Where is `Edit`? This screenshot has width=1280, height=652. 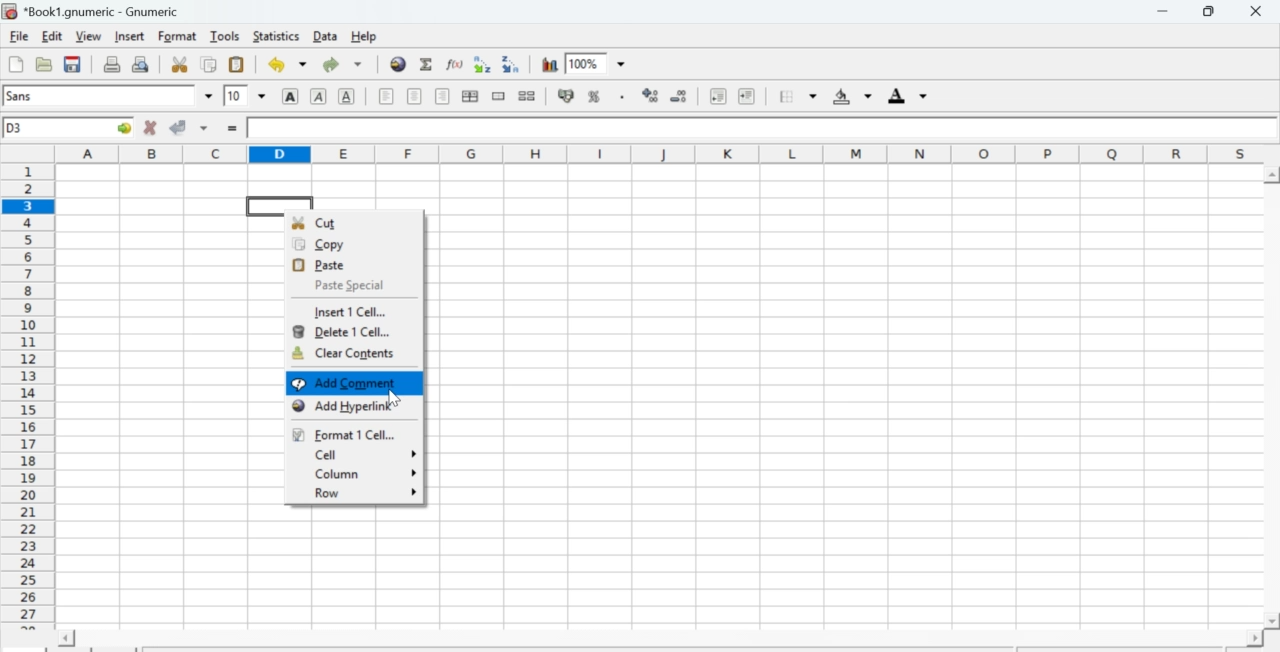
Edit is located at coordinates (53, 35).